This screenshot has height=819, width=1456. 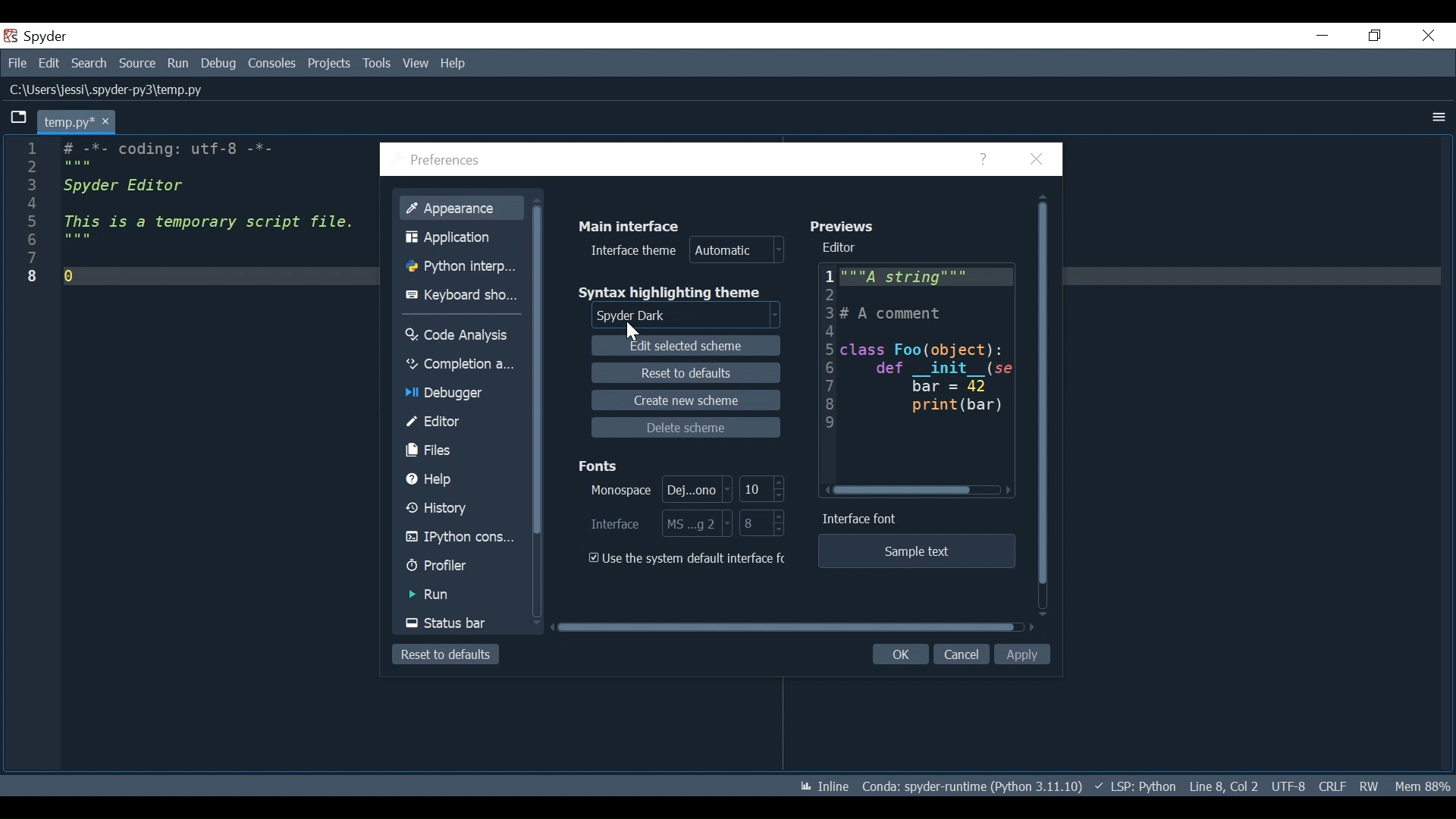 I want to click on Fonts, so click(x=599, y=466).